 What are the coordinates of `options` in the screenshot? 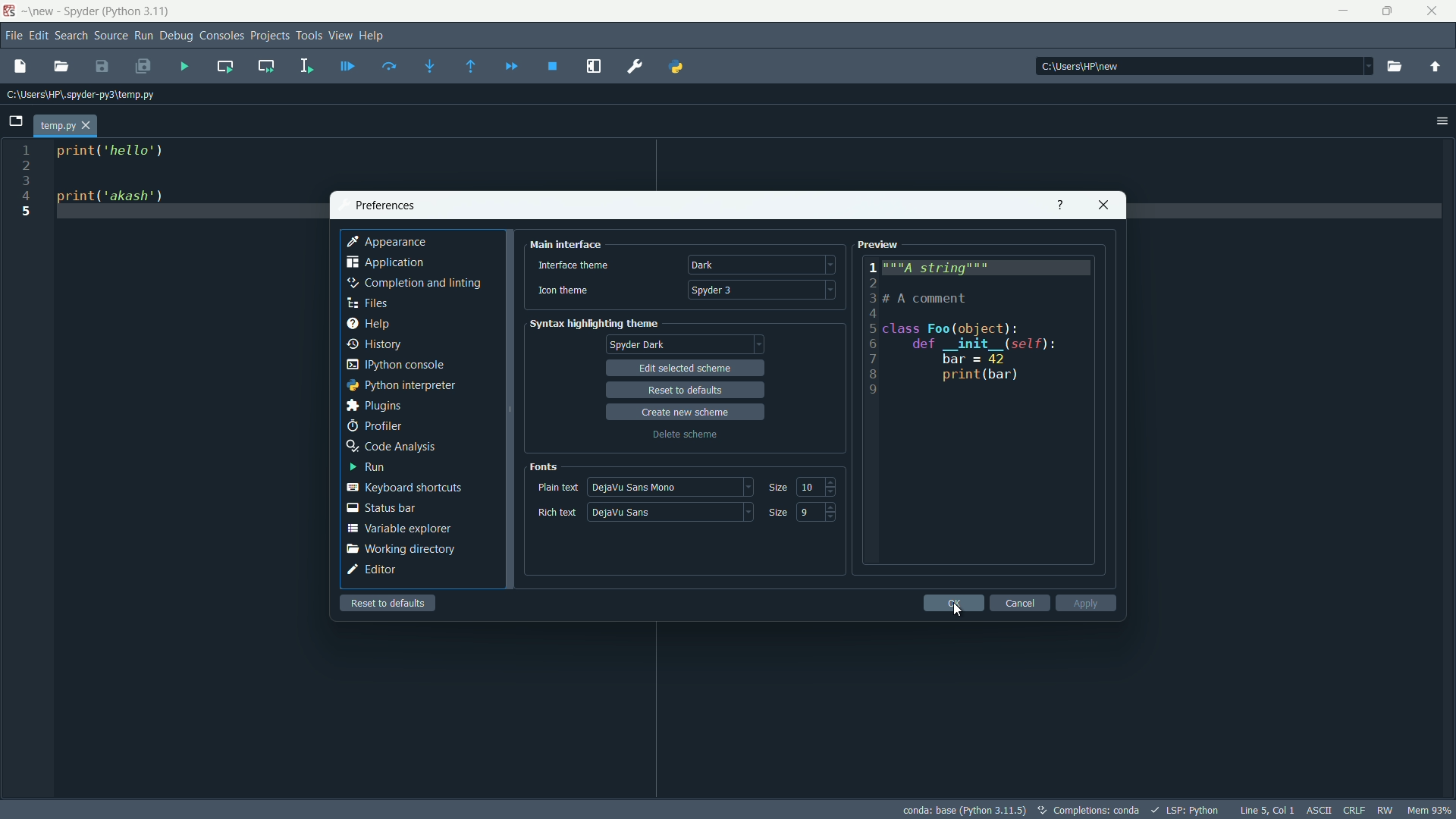 It's located at (1439, 120).